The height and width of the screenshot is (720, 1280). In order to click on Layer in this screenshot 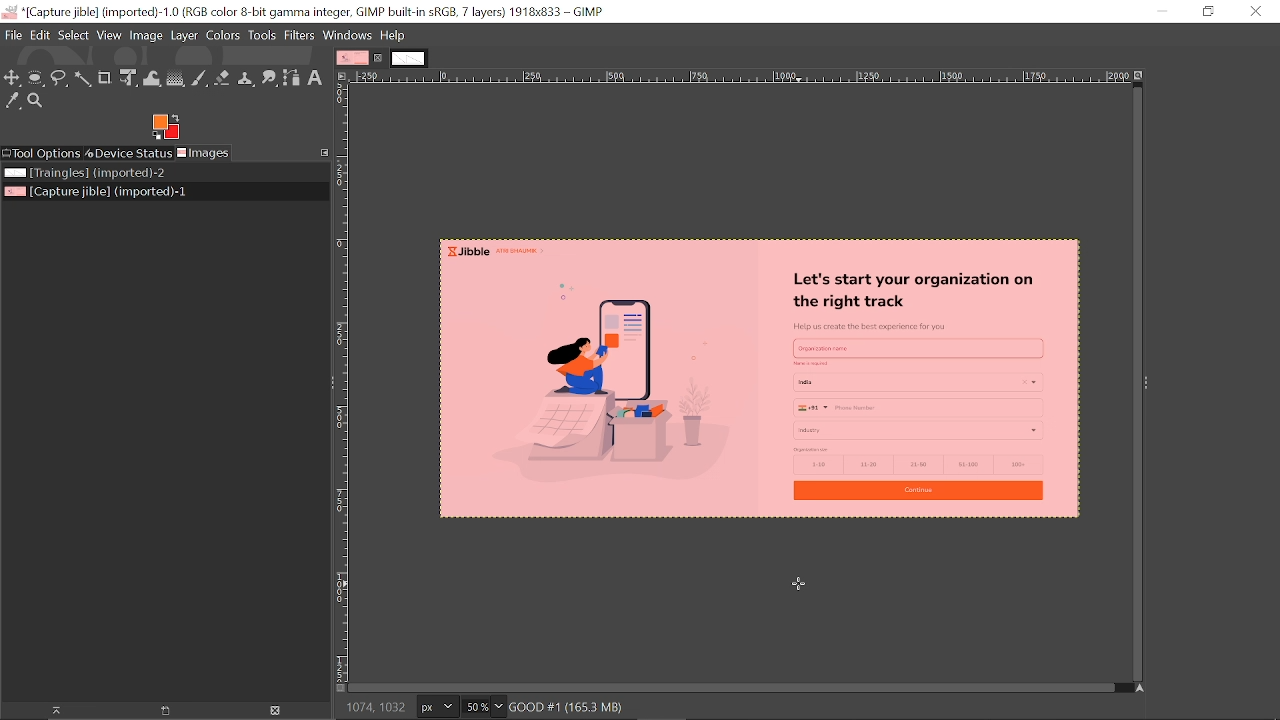, I will do `click(185, 35)`.